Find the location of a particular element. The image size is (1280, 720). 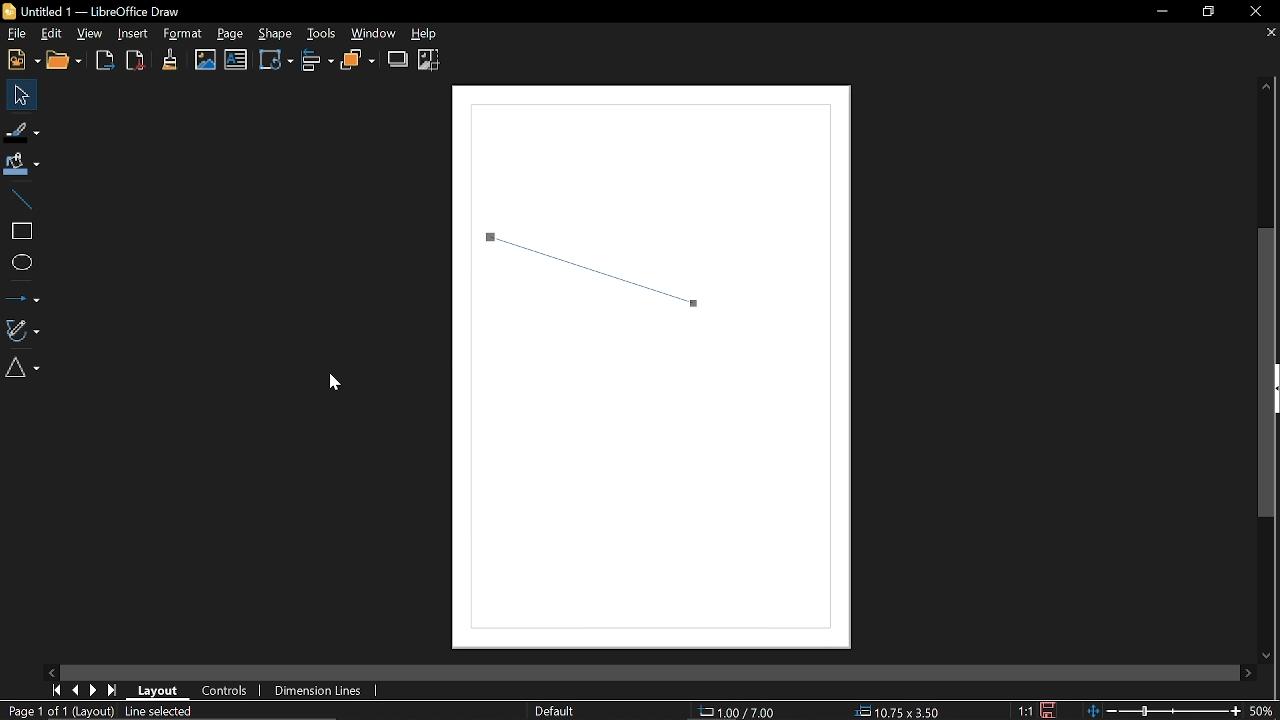

Vertical scrollbar is located at coordinates (1270, 372).